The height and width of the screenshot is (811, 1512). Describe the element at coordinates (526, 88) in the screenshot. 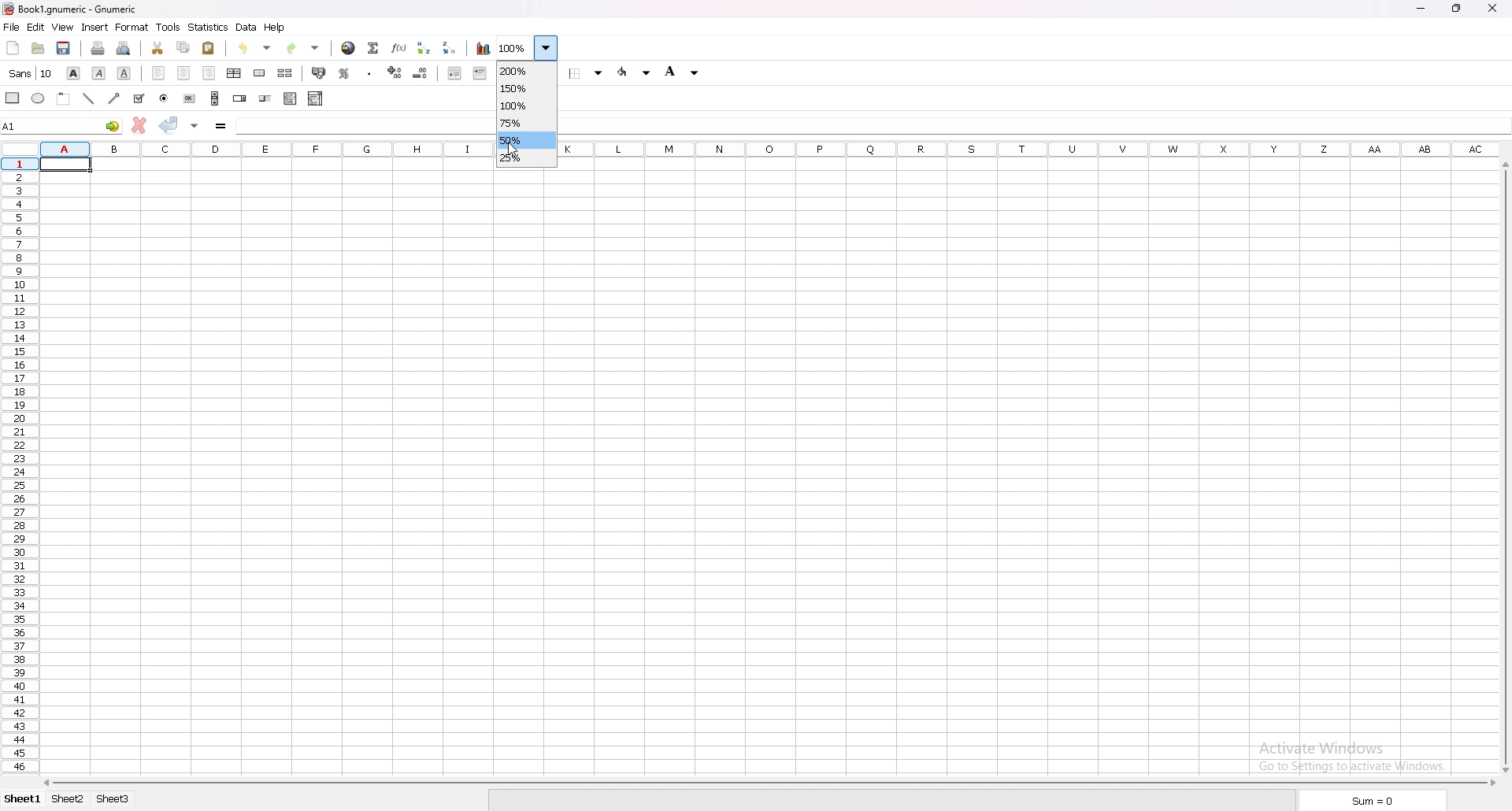

I see `150%` at that location.